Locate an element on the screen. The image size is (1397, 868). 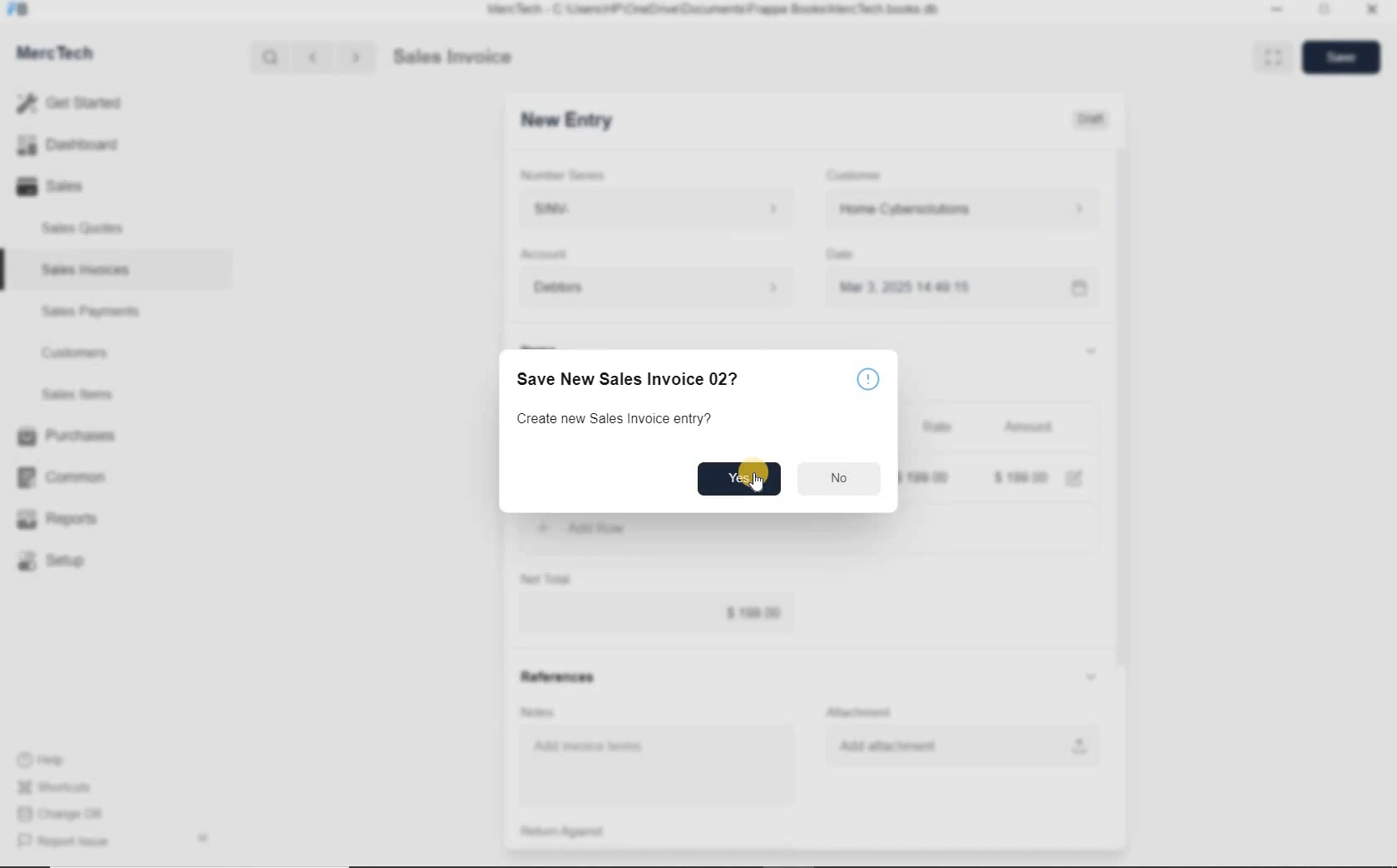
Amount is located at coordinates (1028, 428).